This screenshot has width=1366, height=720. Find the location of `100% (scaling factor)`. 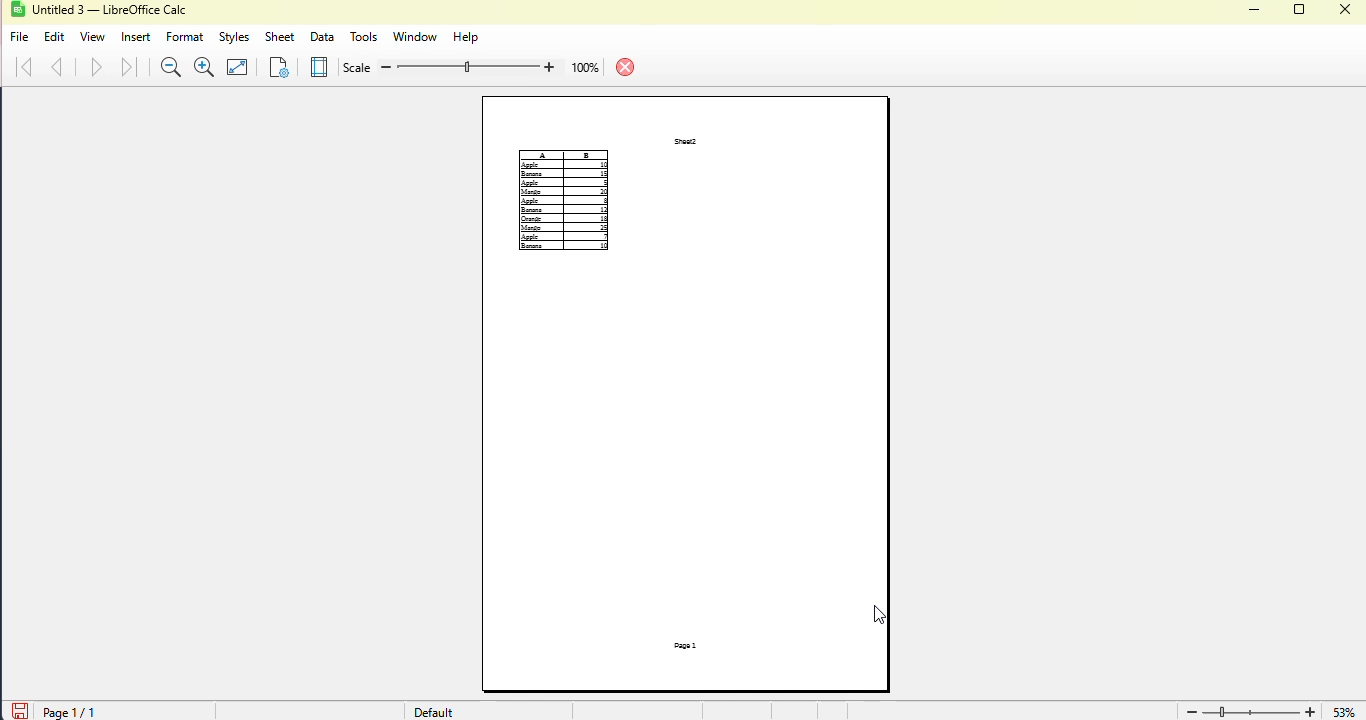

100% (scaling factor) is located at coordinates (475, 65).